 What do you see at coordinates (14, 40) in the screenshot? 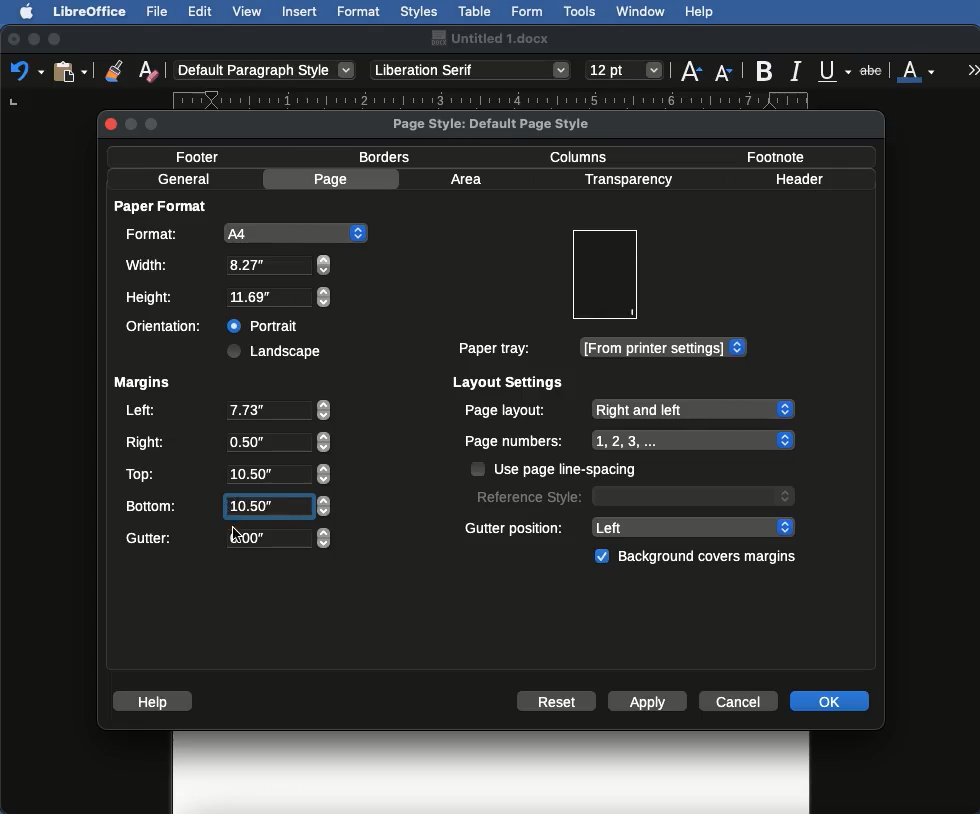
I see `Close` at bounding box center [14, 40].